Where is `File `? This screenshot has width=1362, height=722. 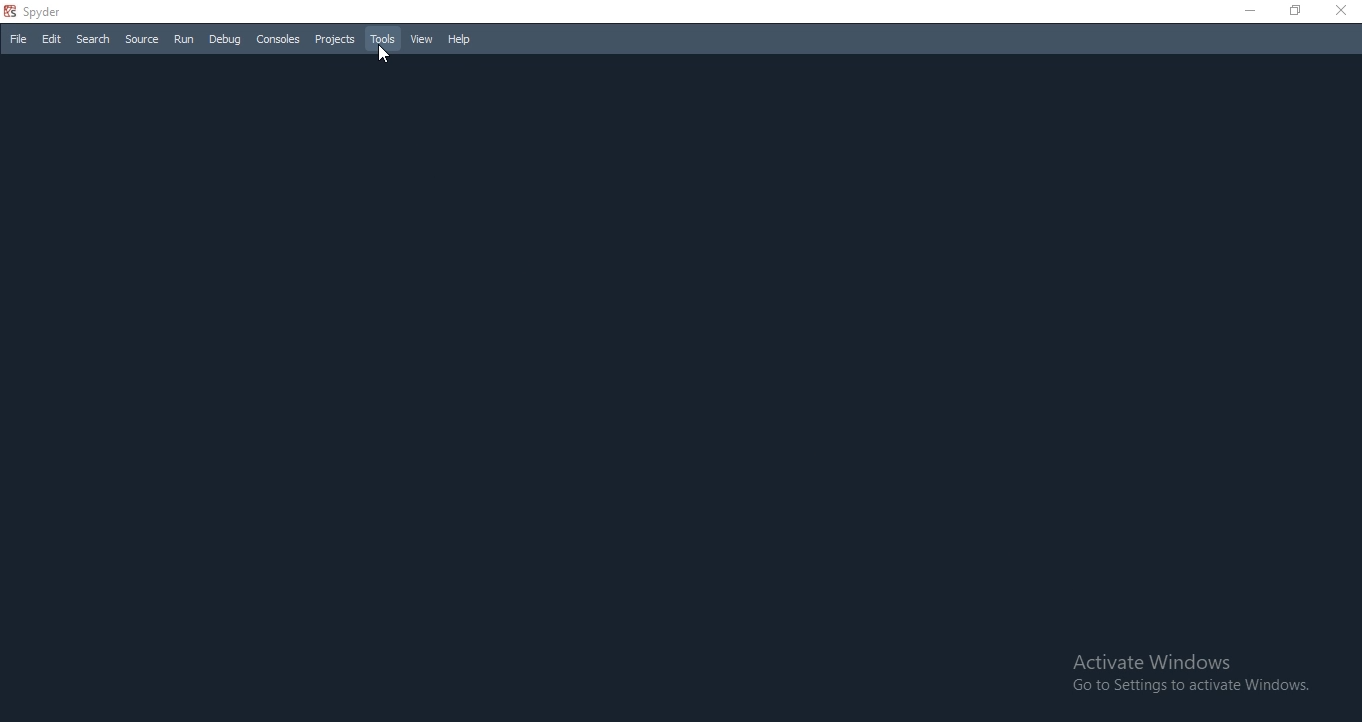 File  is located at coordinates (18, 38).